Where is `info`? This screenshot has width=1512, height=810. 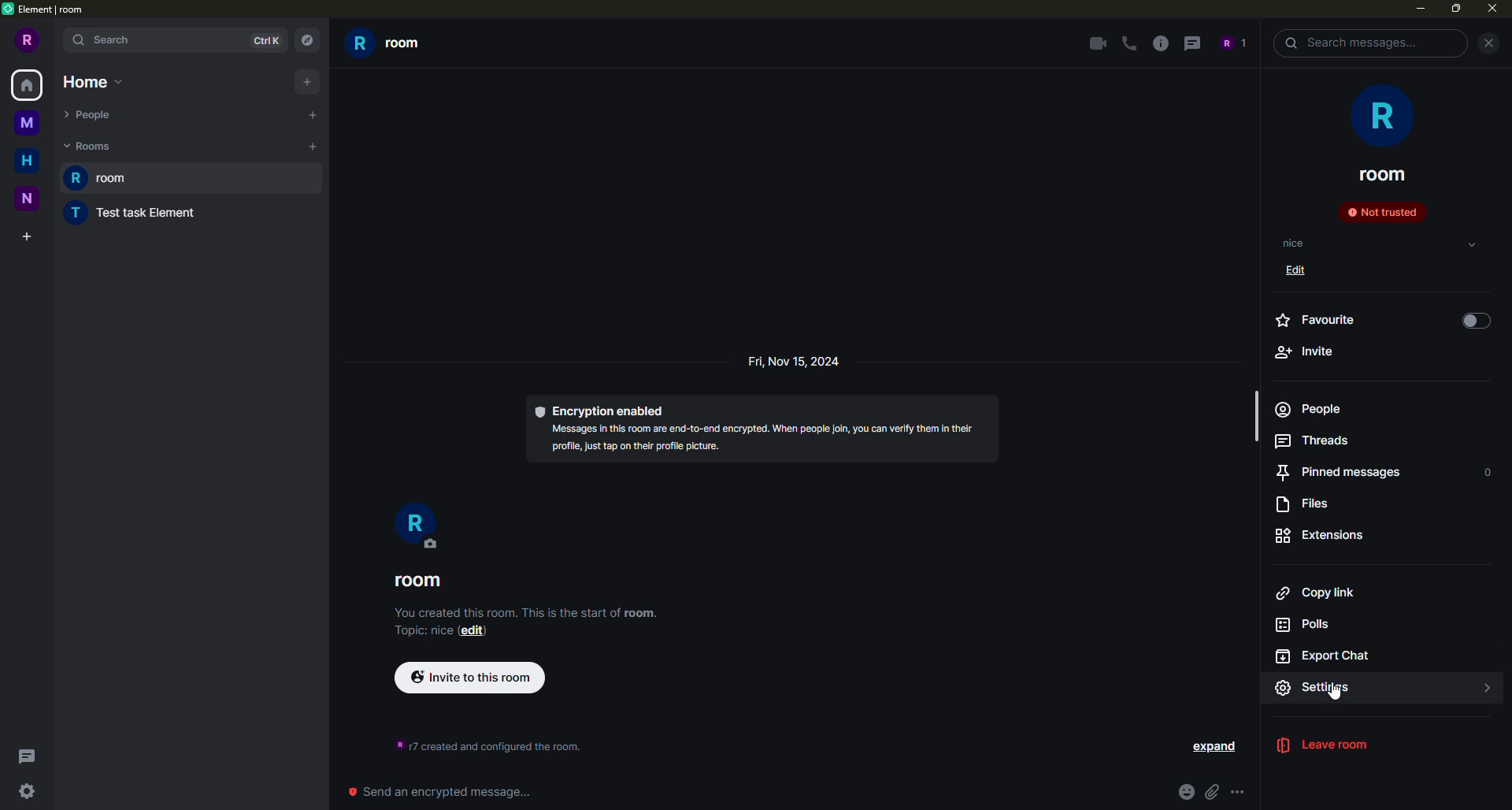 info is located at coordinates (1163, 43).